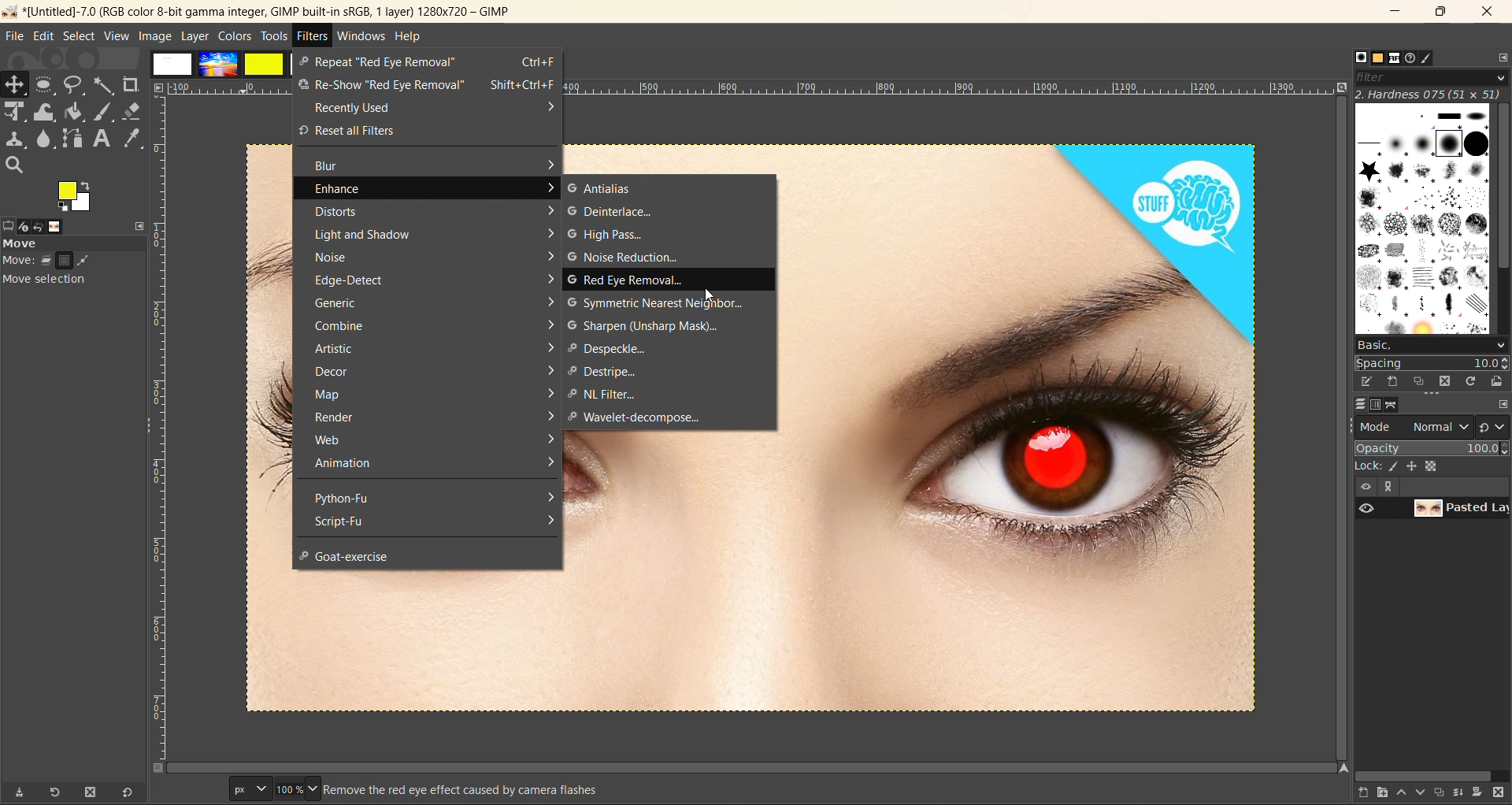  I want to click on channel, so click(1376, 405).